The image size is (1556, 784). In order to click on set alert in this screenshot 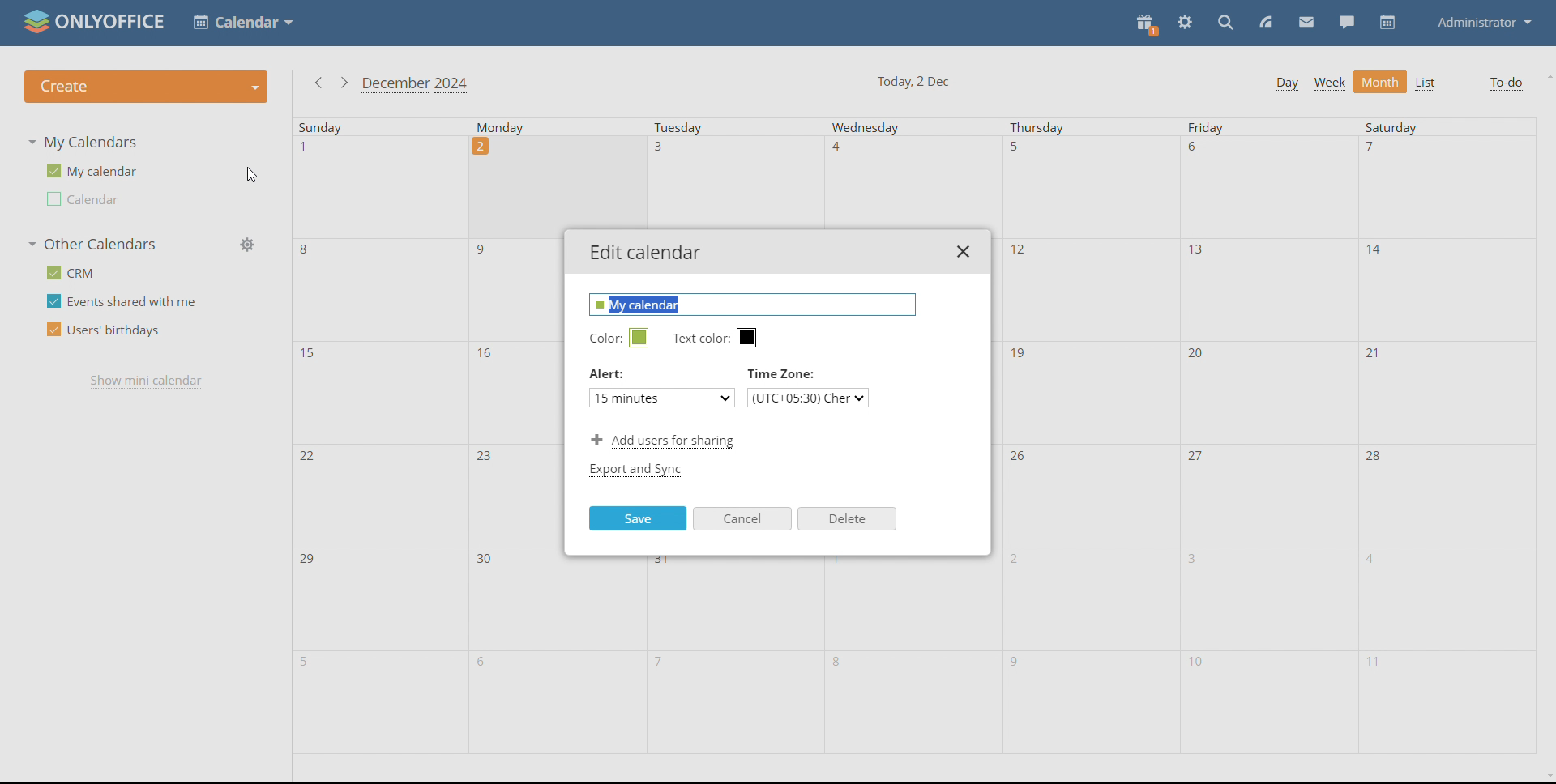, I will do `click(661, 398)`.